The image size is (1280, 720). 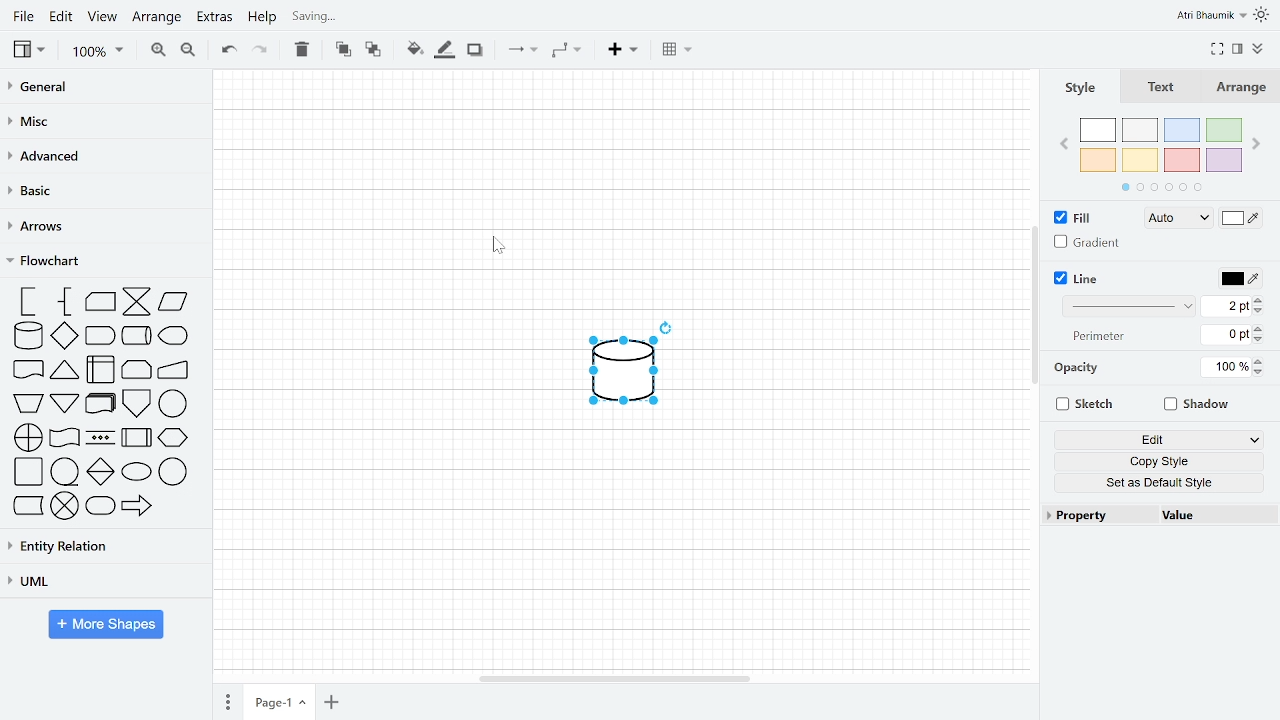 What do you see at coordinates (174, 472) in the screenshot?
I see `start ` at bounding box center [174, 472].